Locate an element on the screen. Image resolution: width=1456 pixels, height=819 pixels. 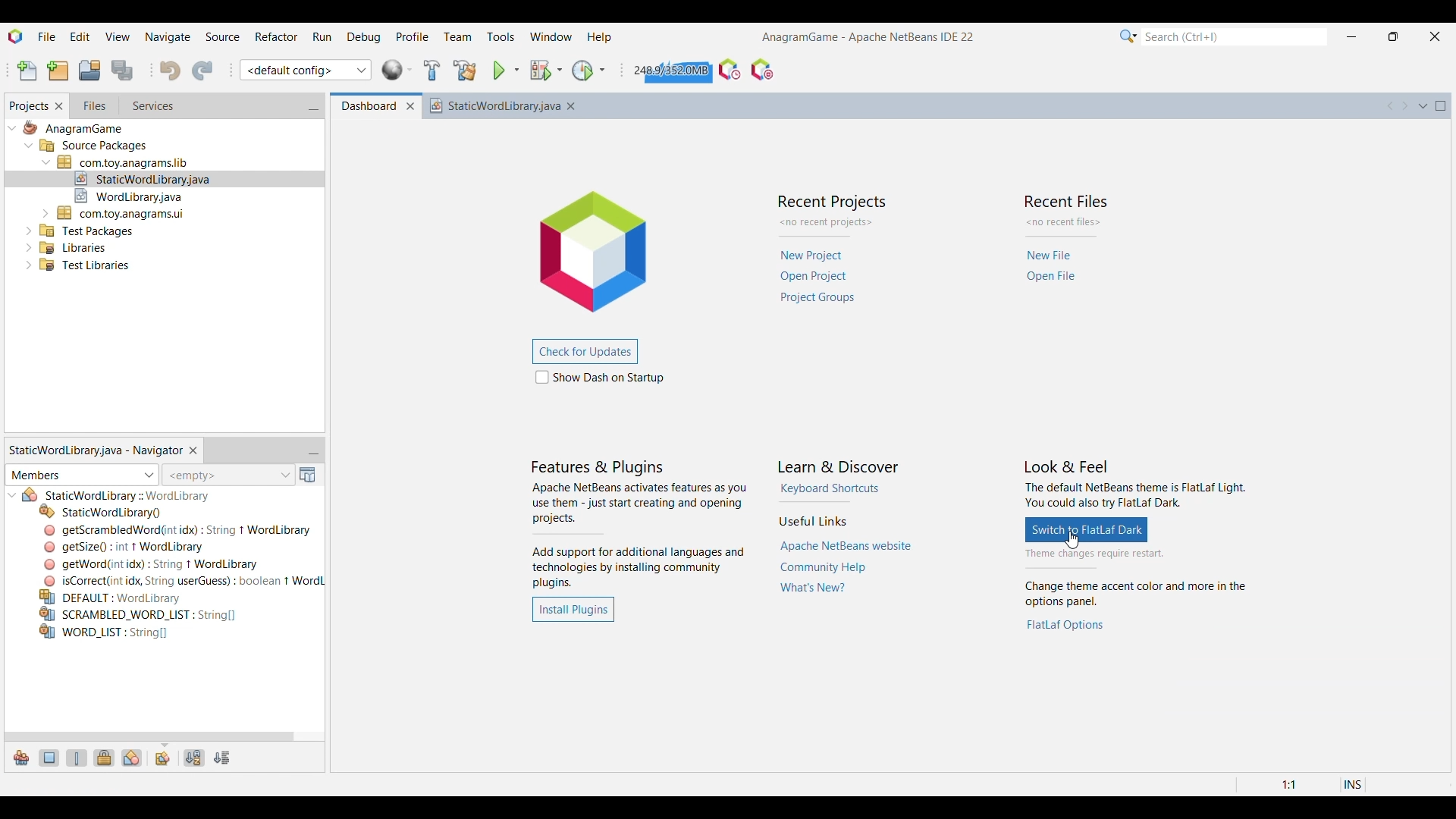
 is located at coordinates (73, 130).